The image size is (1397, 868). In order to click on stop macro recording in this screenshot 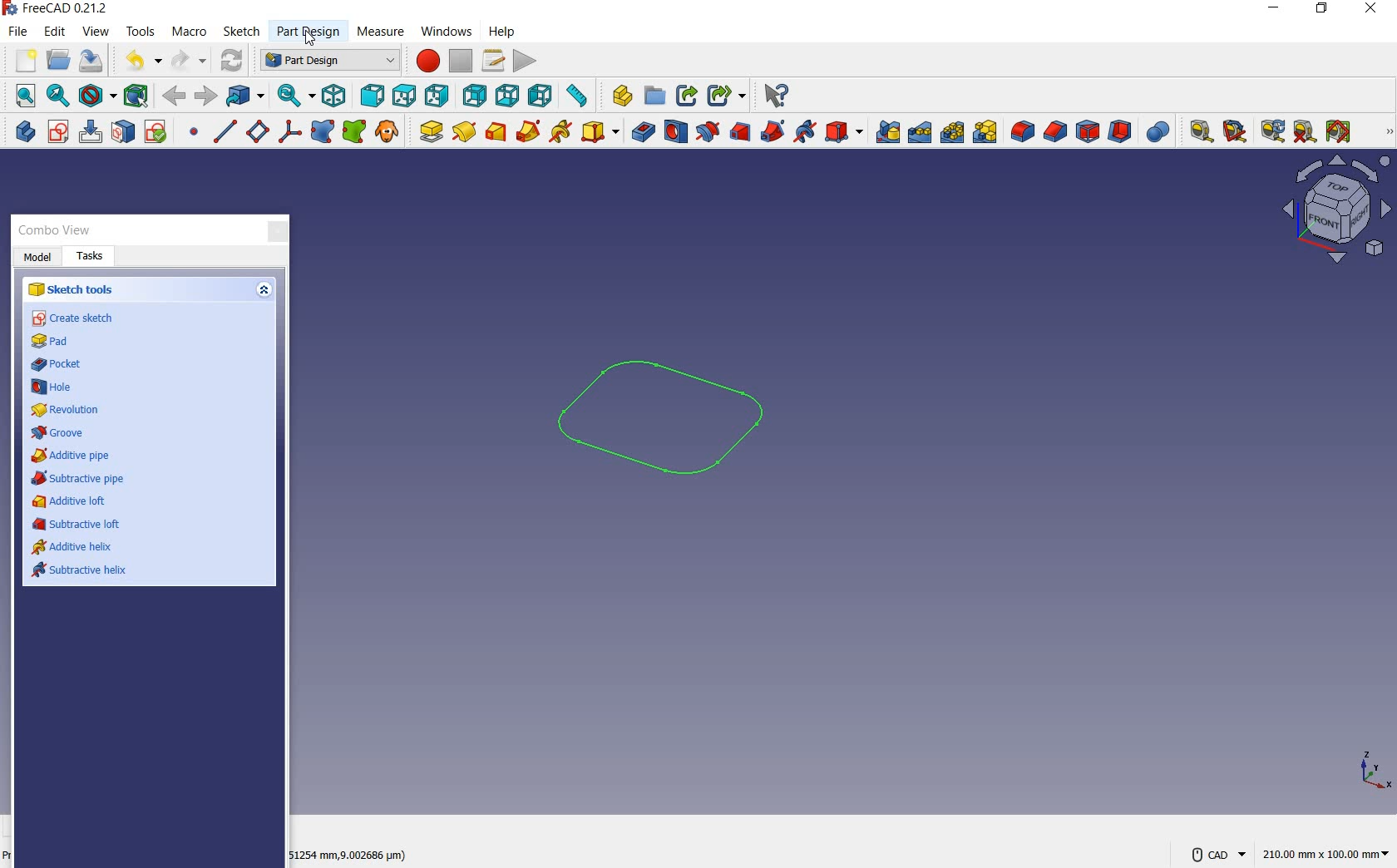, I will do `click(462, 62)`.